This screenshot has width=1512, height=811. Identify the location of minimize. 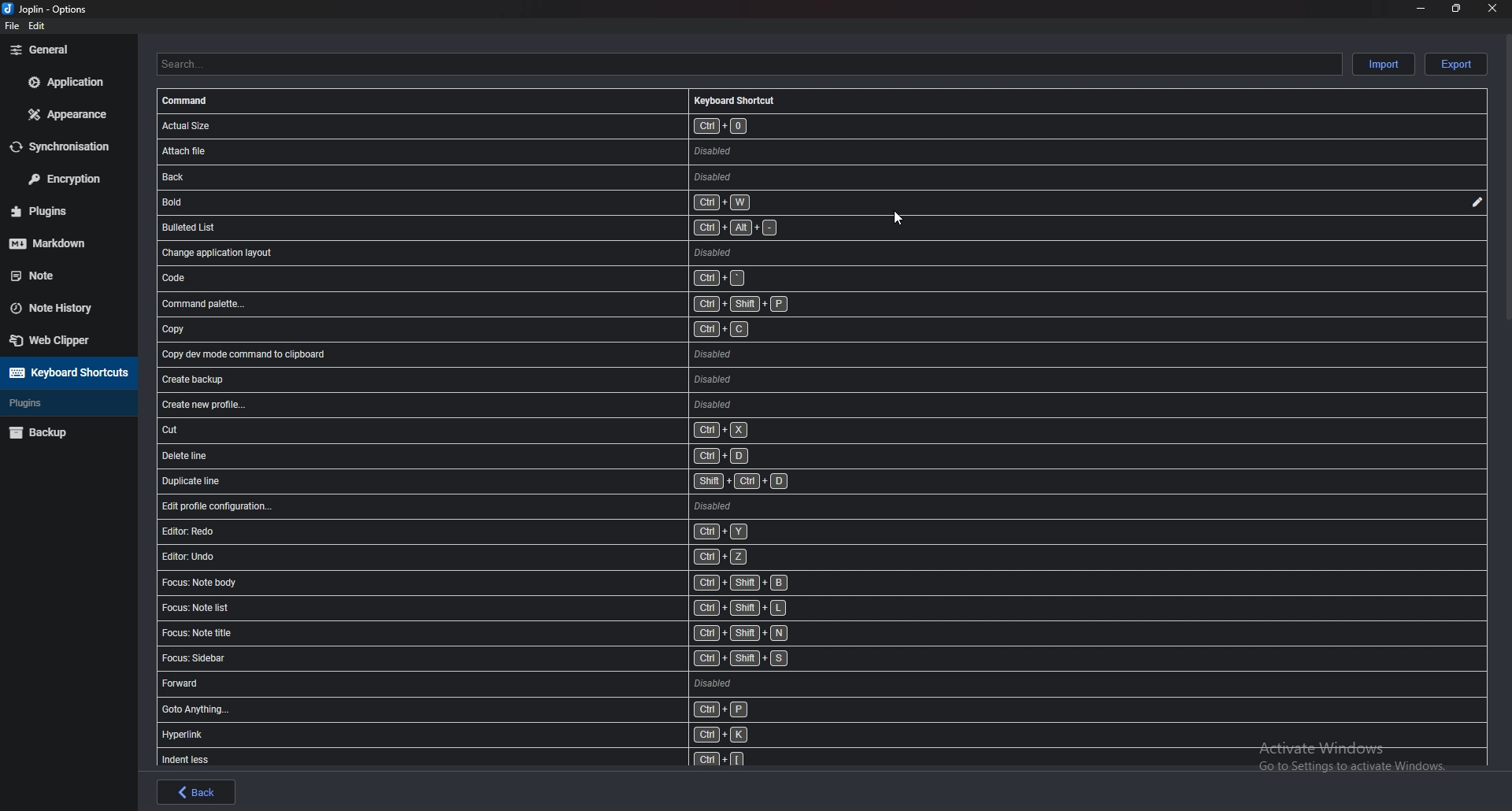
(1421, 9).